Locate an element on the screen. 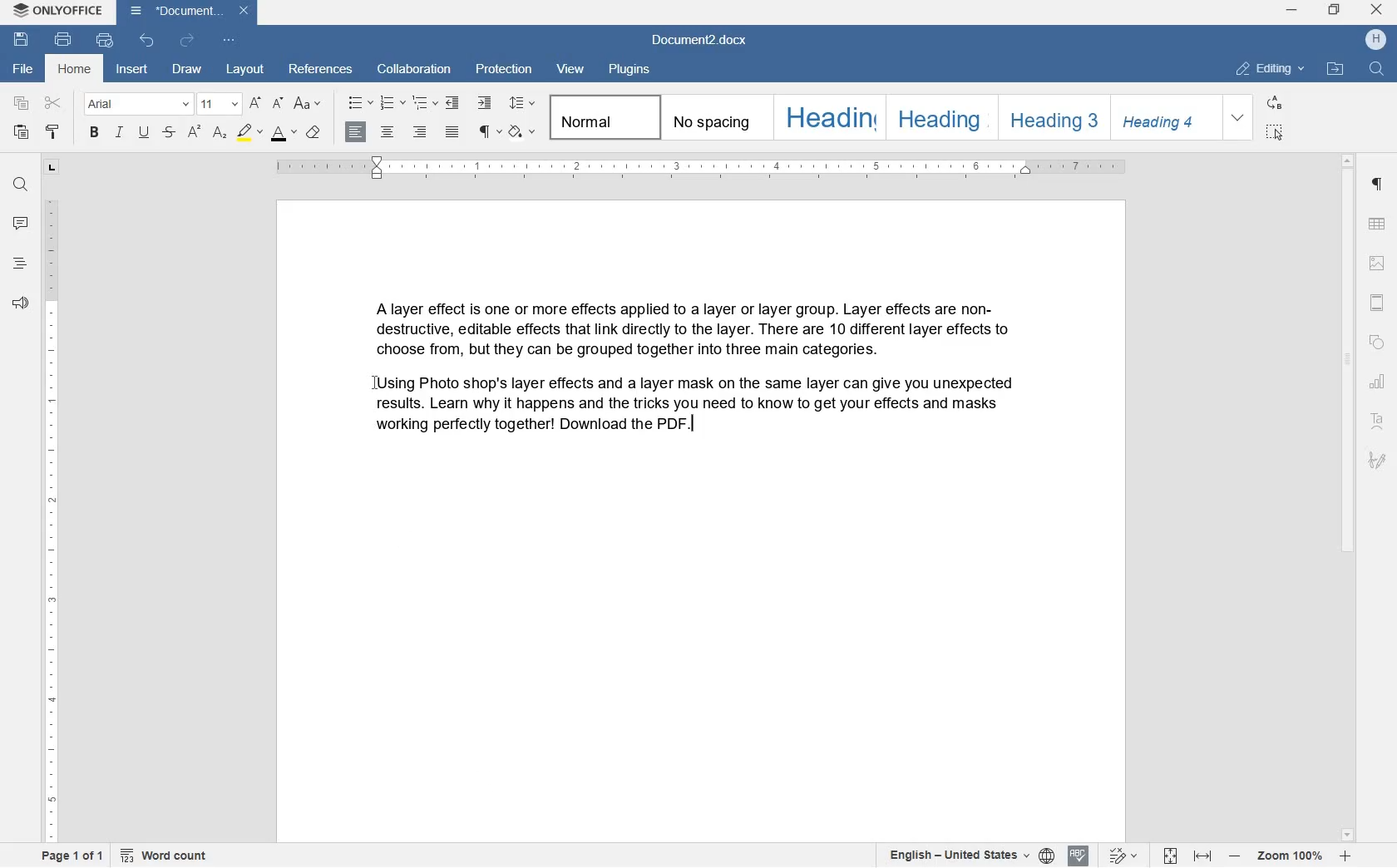  REDO is located at coordinates (186, 40).